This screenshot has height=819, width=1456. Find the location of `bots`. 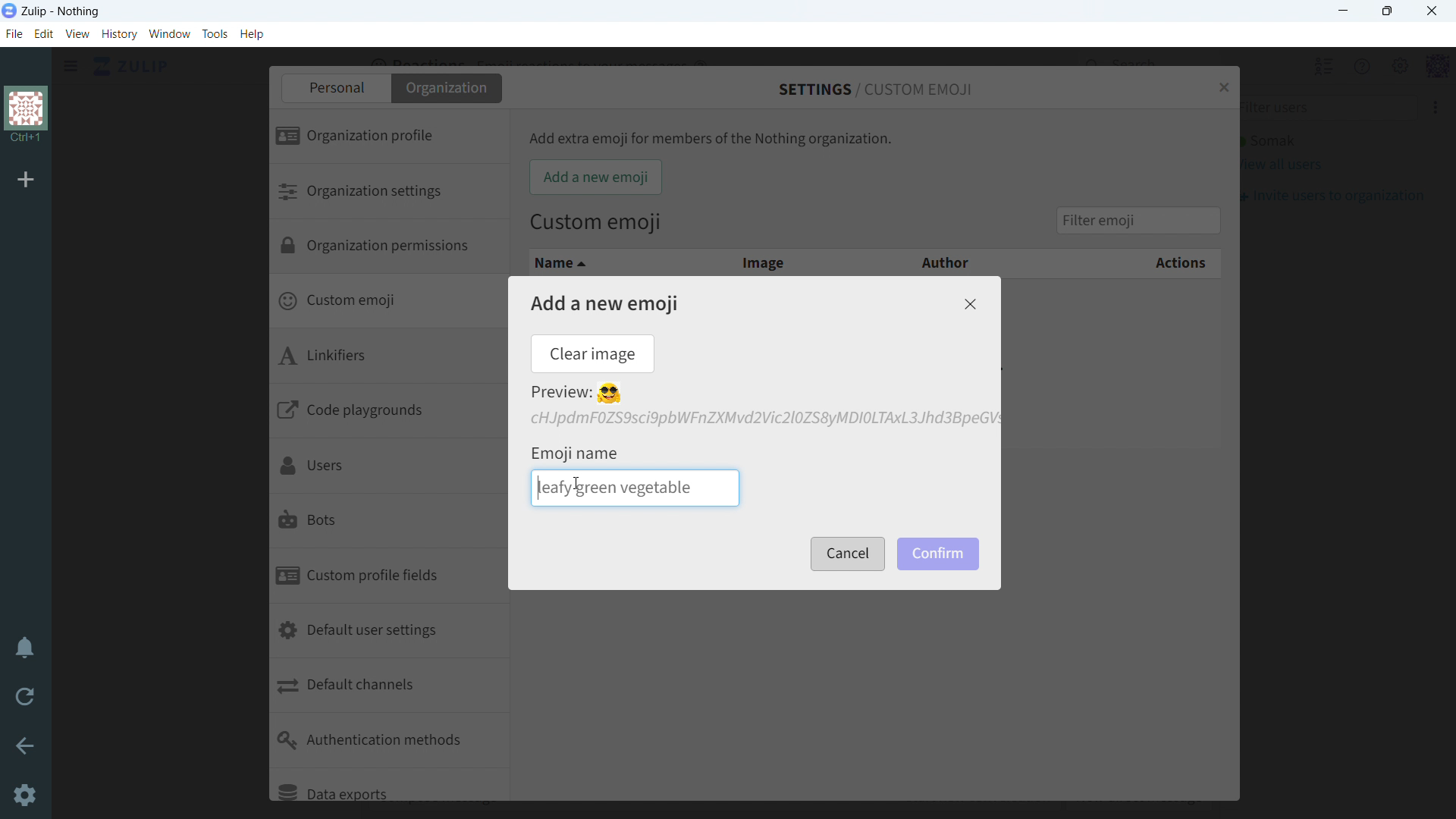

bots is located at coordinates (385, 522).